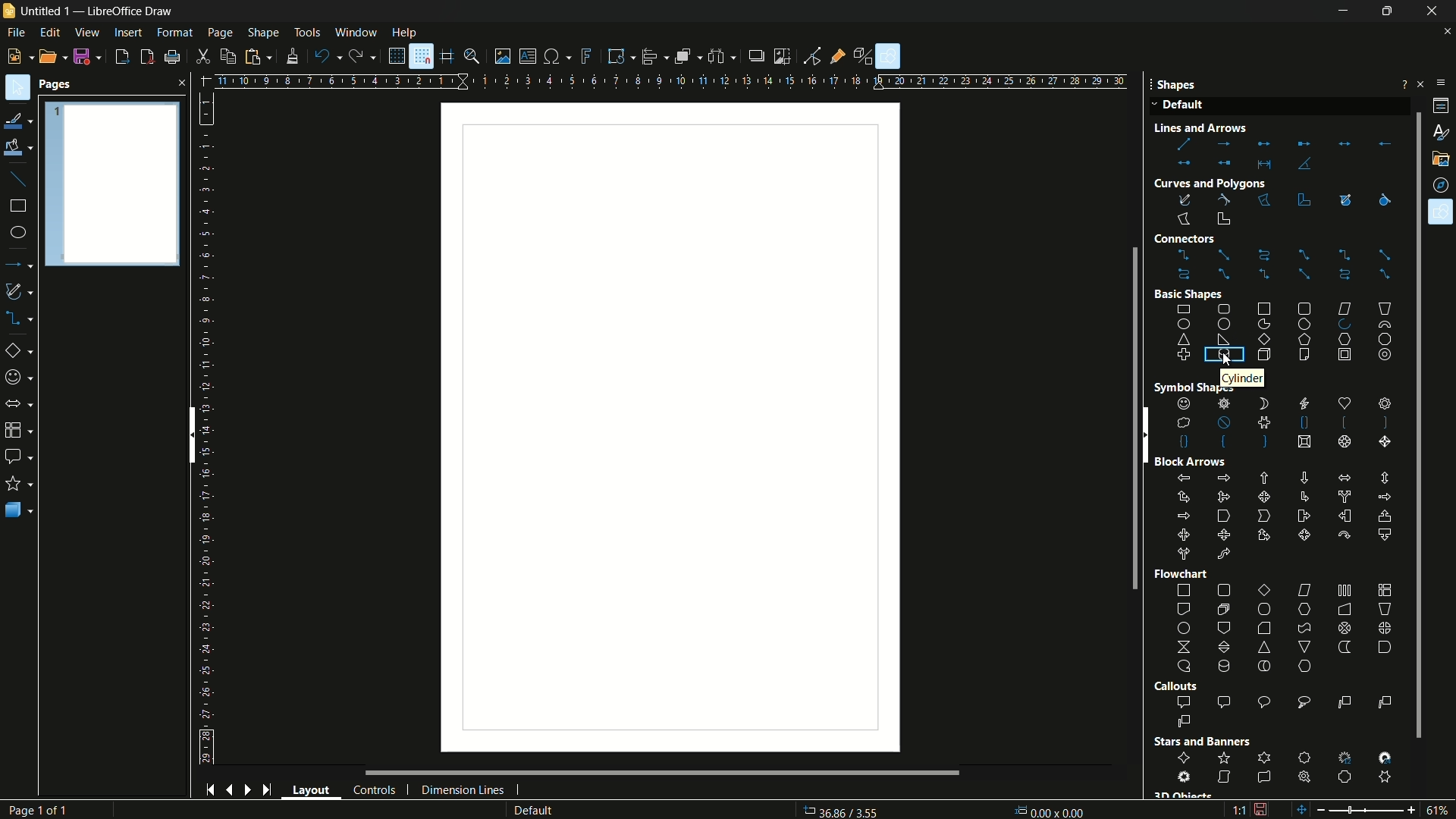 Image resolution: width=1456 pixels, height=819 pixels. I want to click on scroll bar, so click(190, 435).